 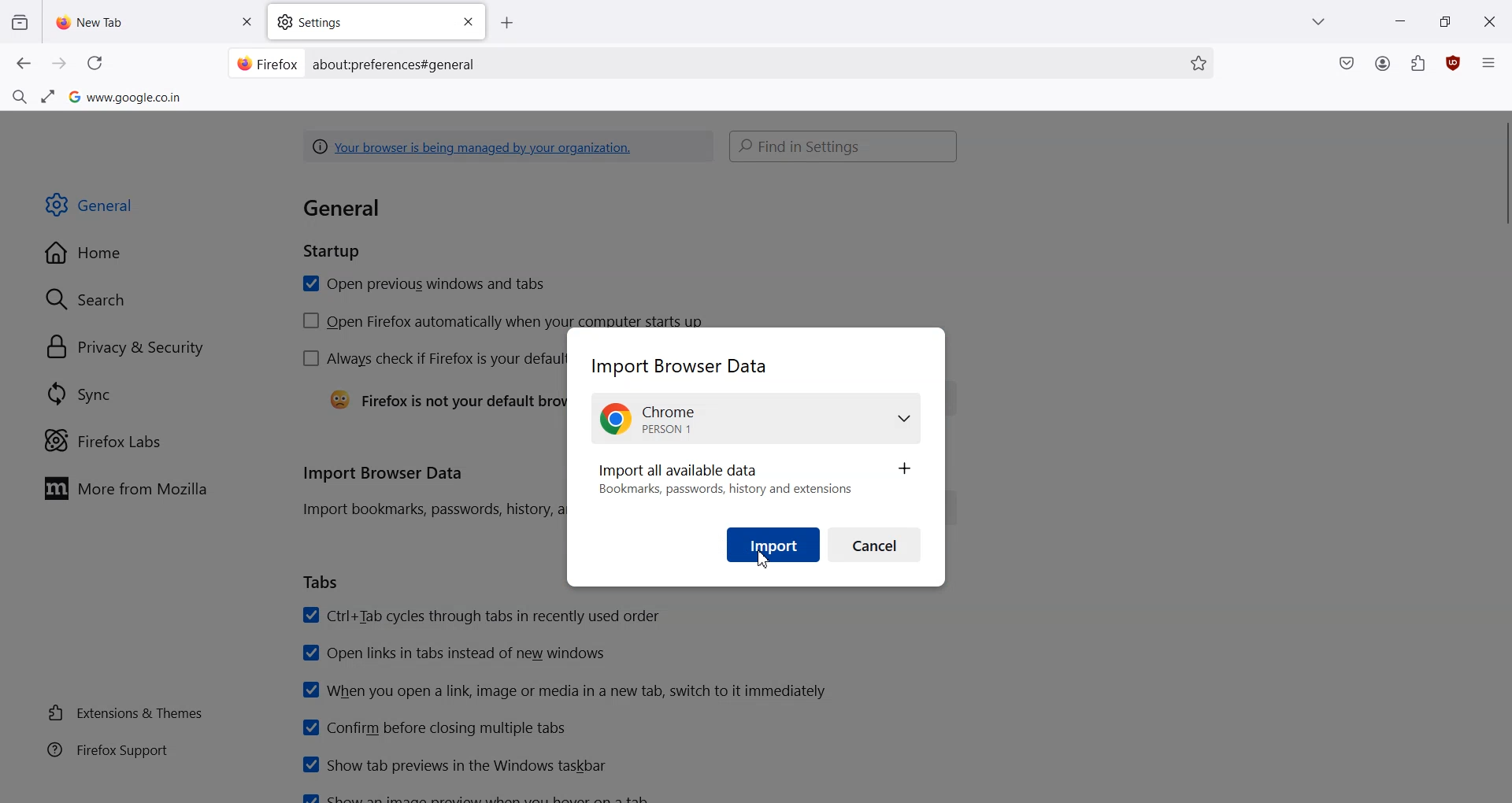 What do you see at coordinates (466, 21) in the screenshot?
I see `Close` at bounding box center [466, 21].